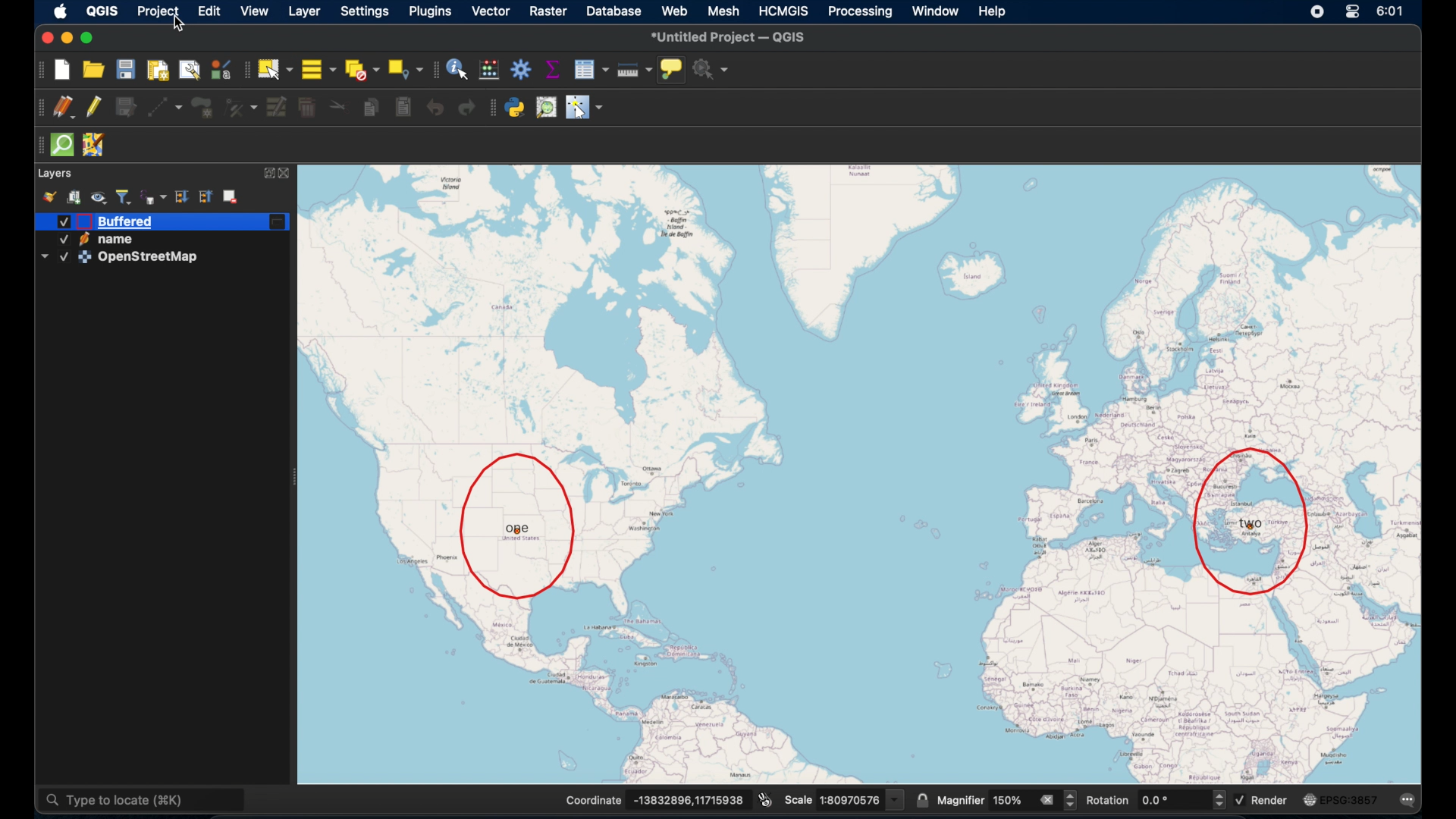 This screenshot has width=1456, height=819. Describe the element at coordinates (188, 69) in the screenshot. I see `show layout manager` at that location.